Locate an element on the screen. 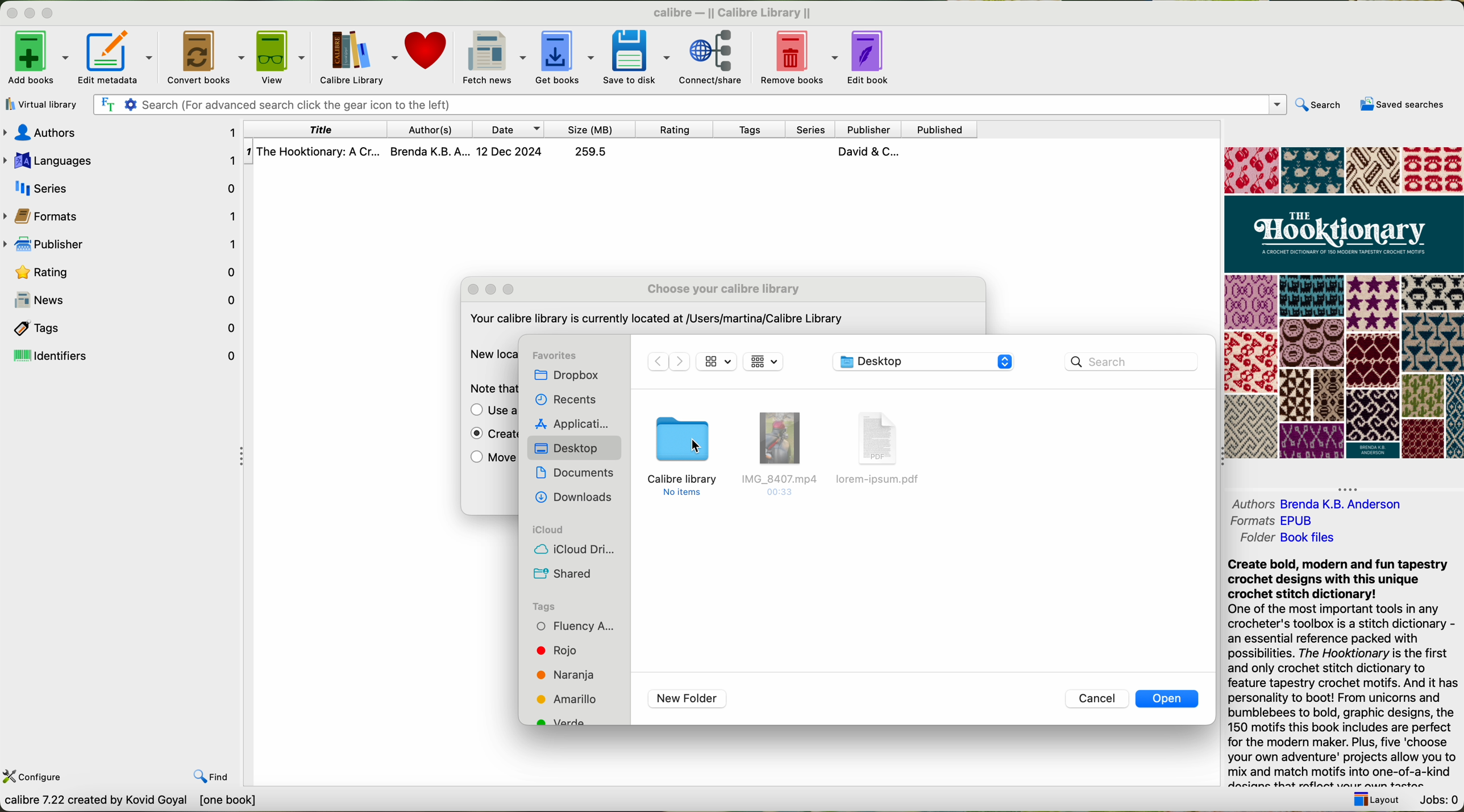 The image size is (1464, 812). recents is located at coordinates (567, 398).